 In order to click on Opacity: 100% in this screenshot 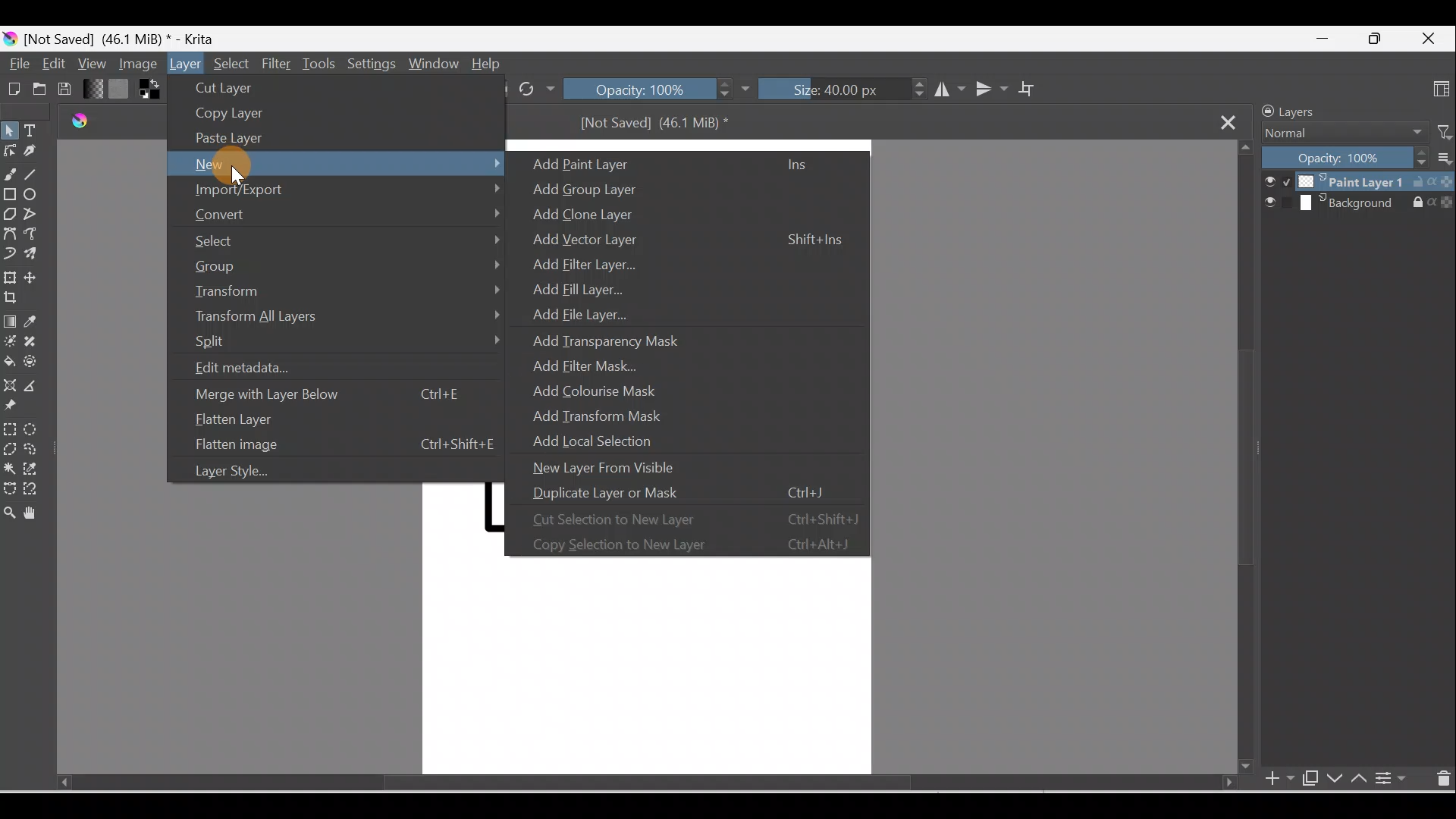, I will do `click(1345, 158)`.